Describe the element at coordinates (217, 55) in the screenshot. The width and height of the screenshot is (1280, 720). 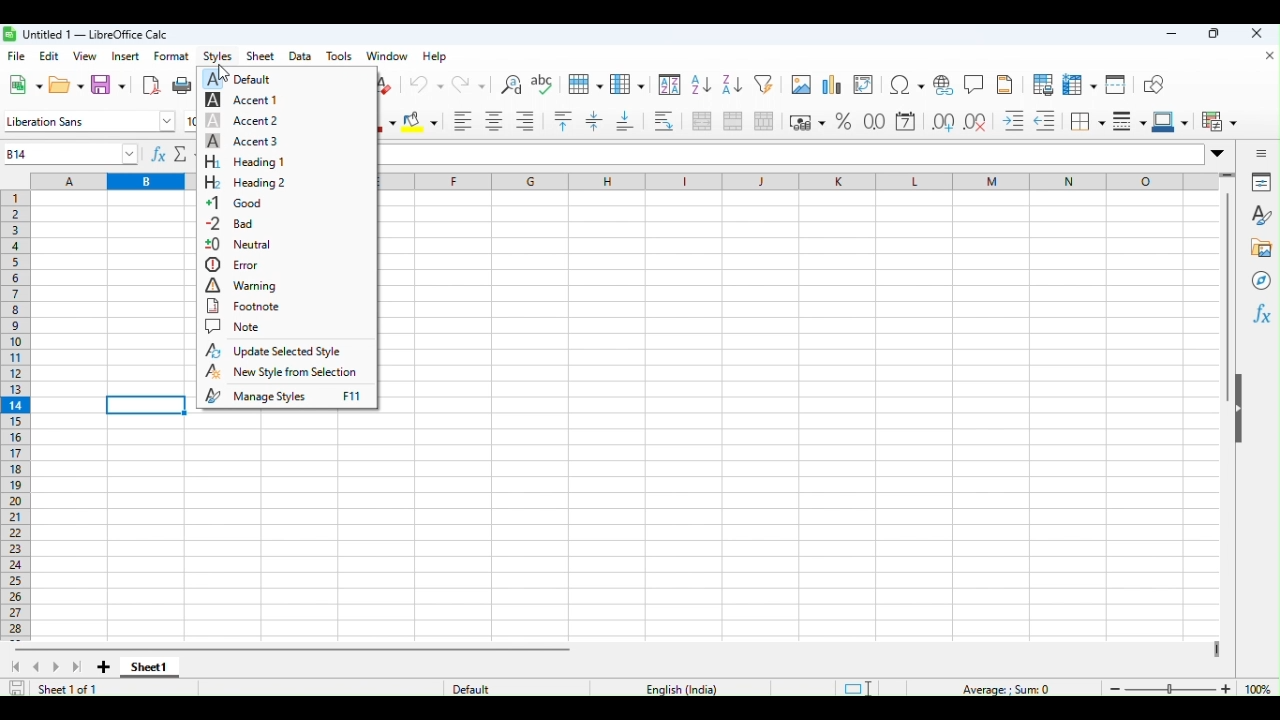
I see `Styles` at that location.